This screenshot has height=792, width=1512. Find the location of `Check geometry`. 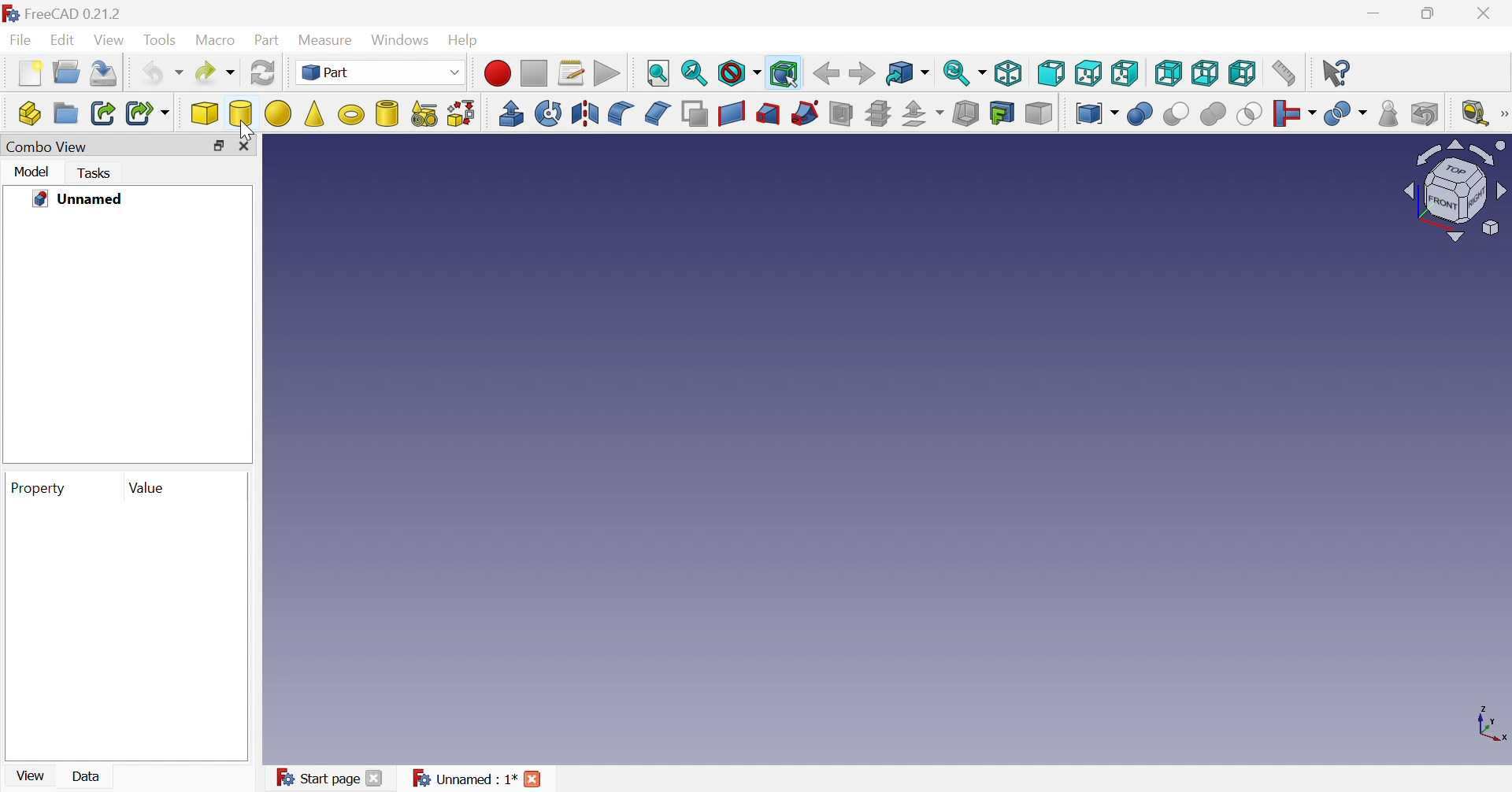

Check geometry is located at coordinates (1388, 113).